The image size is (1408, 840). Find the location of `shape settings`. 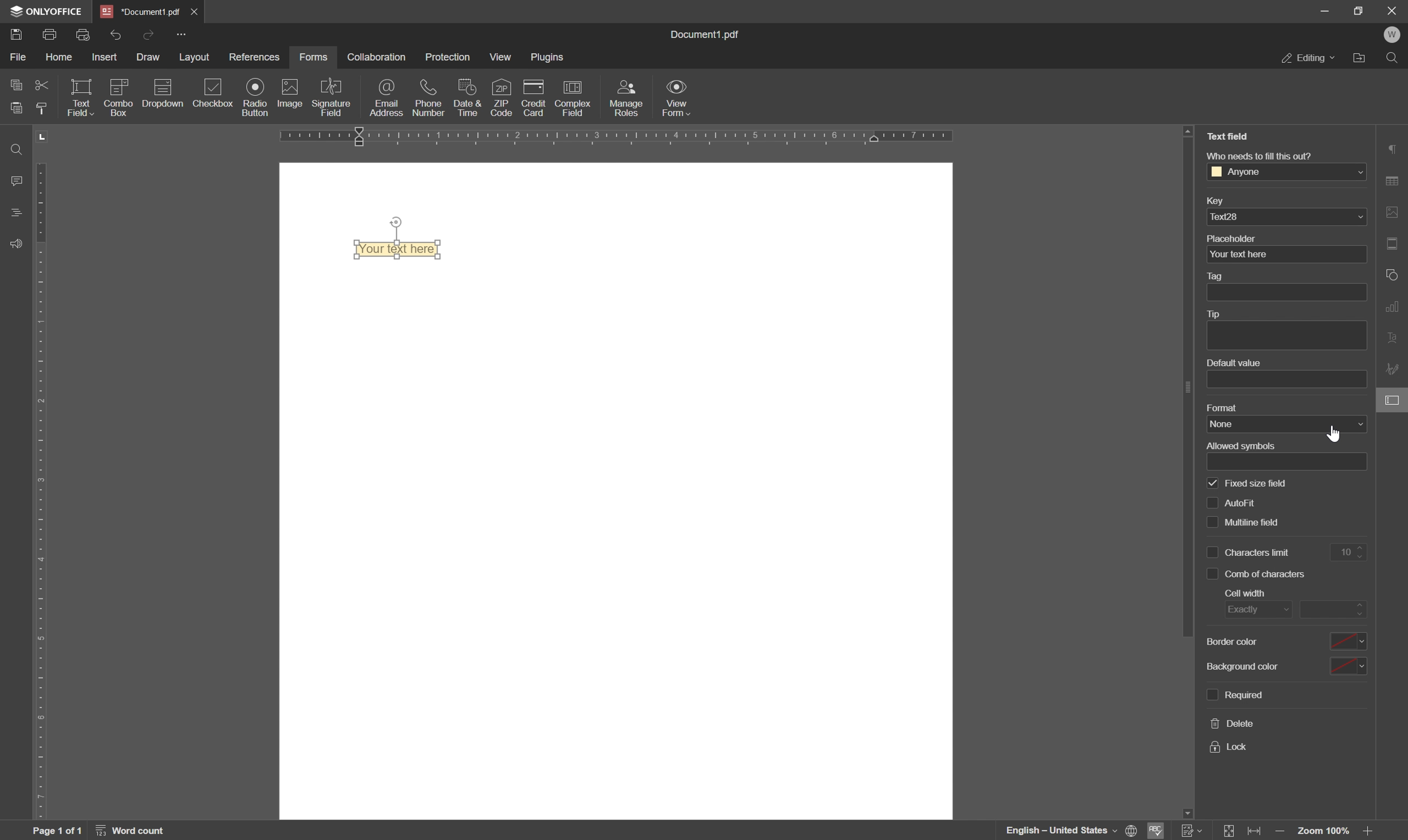

shape settings is located at coordinates (1393, 274).